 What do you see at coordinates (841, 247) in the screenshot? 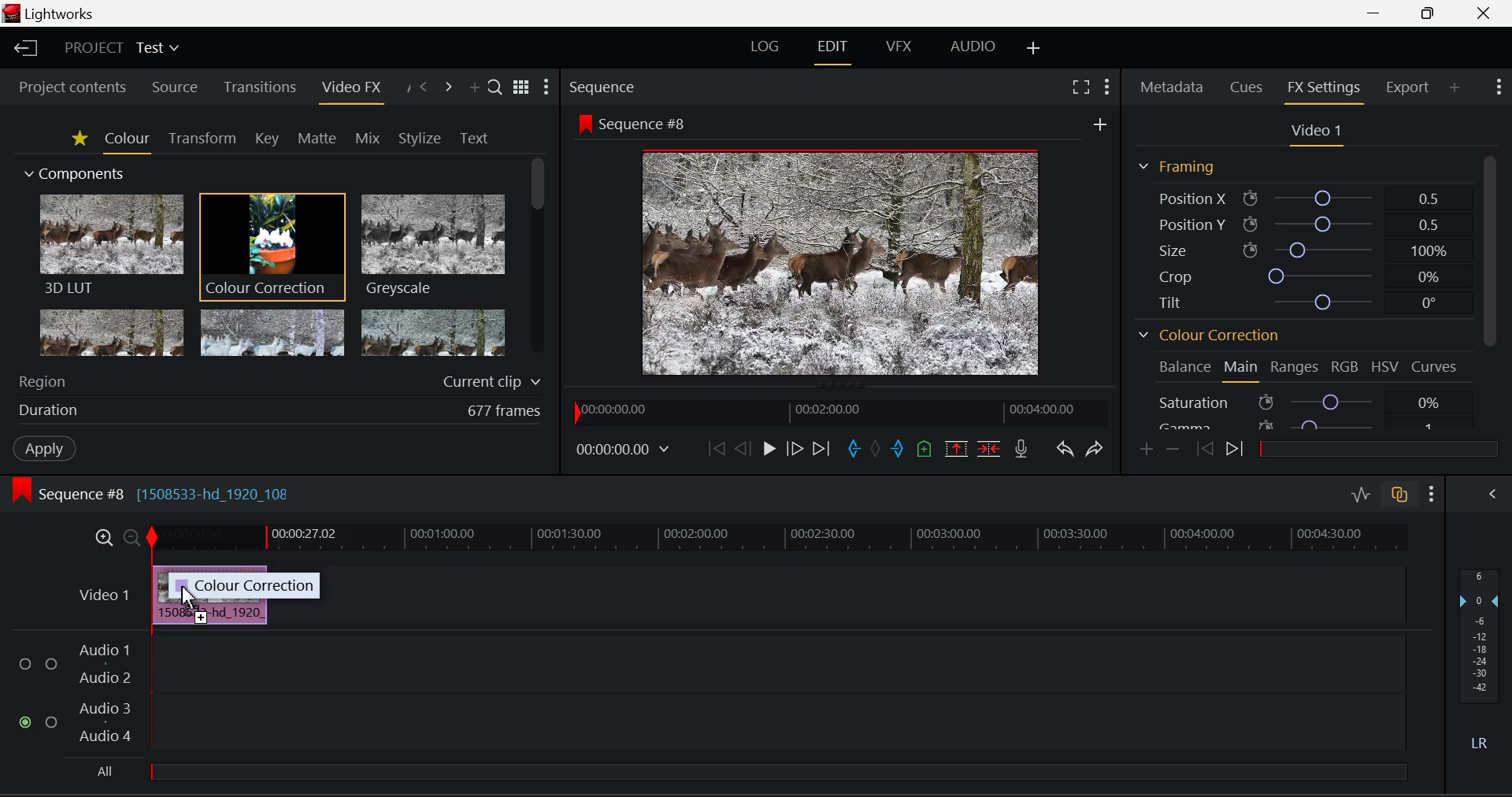
I see `Sequence #8` at bounding box center [841, 247].